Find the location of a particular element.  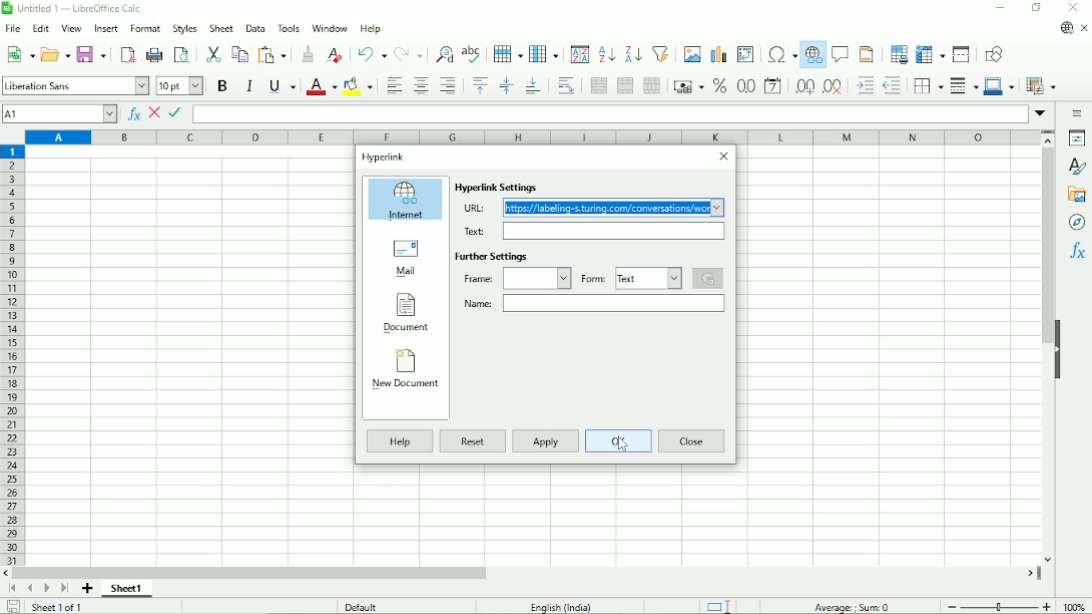

Vertical scrollbar is located at coordinates (1048, 249).